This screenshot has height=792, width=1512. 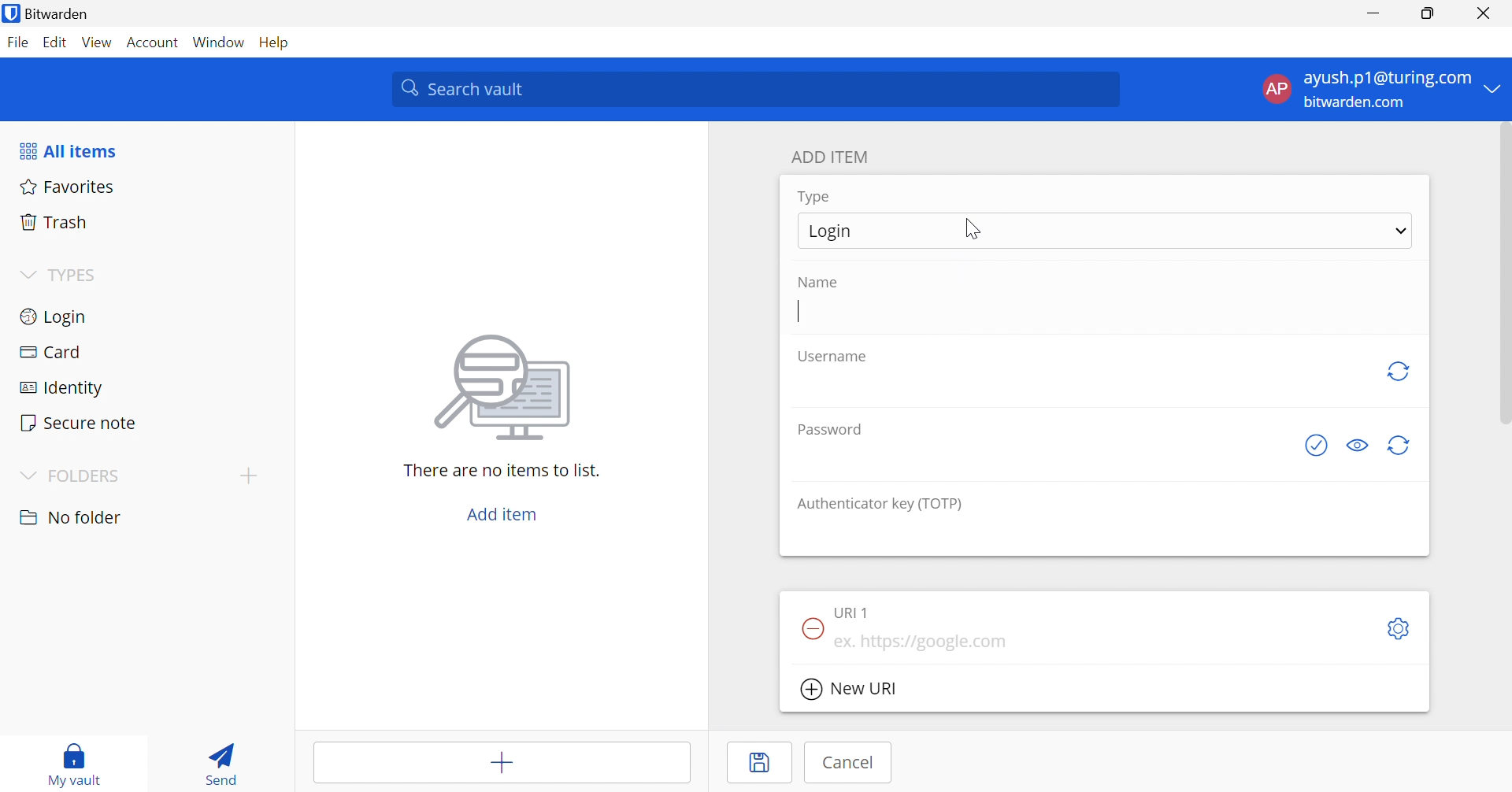 What do you see at coordinates (1503, 273) in the screenshot?
I see `Scroll Bar` at bounding box center [1503, 273].